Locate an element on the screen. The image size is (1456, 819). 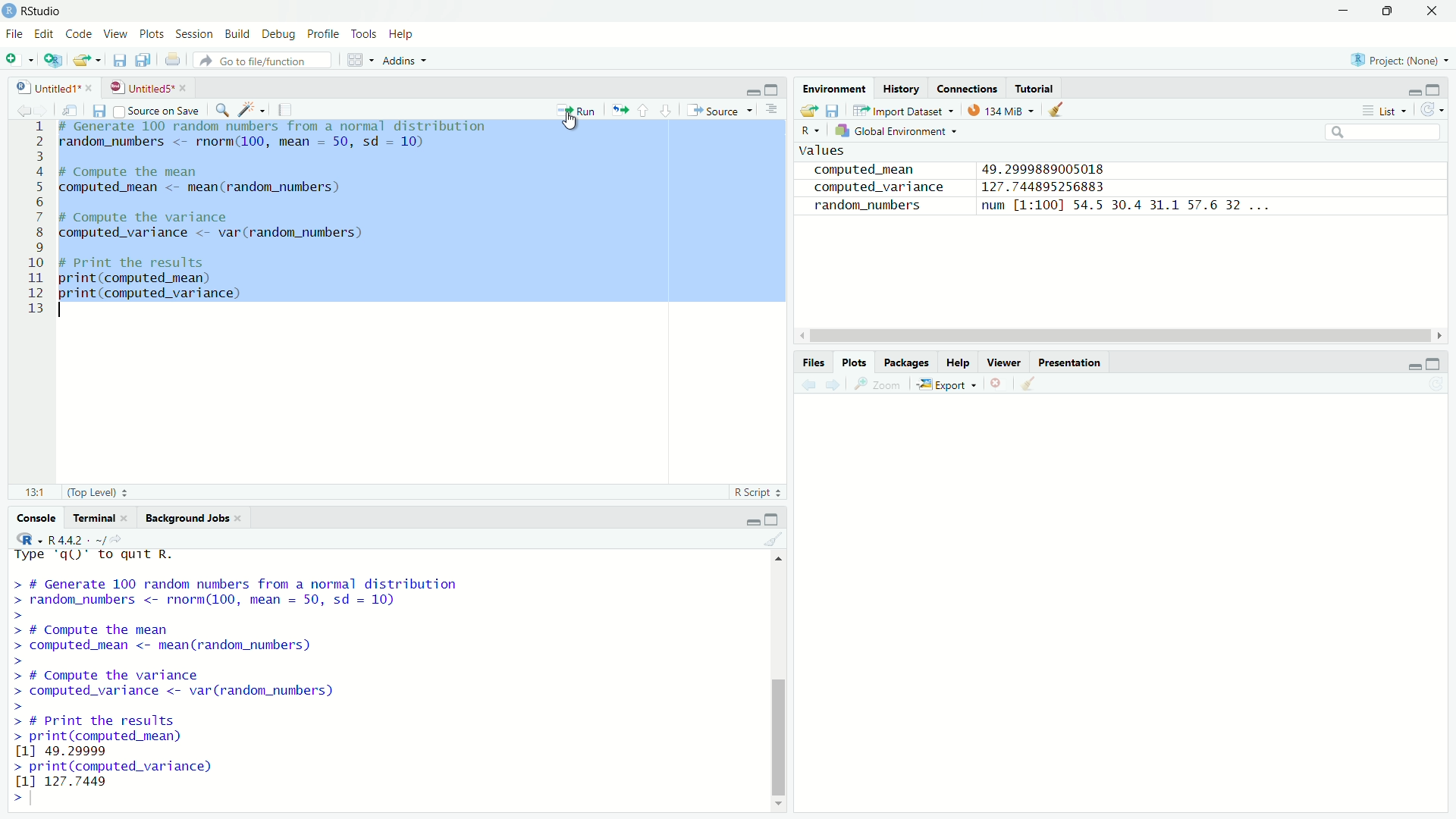
history is located at coordinates (904, 87).